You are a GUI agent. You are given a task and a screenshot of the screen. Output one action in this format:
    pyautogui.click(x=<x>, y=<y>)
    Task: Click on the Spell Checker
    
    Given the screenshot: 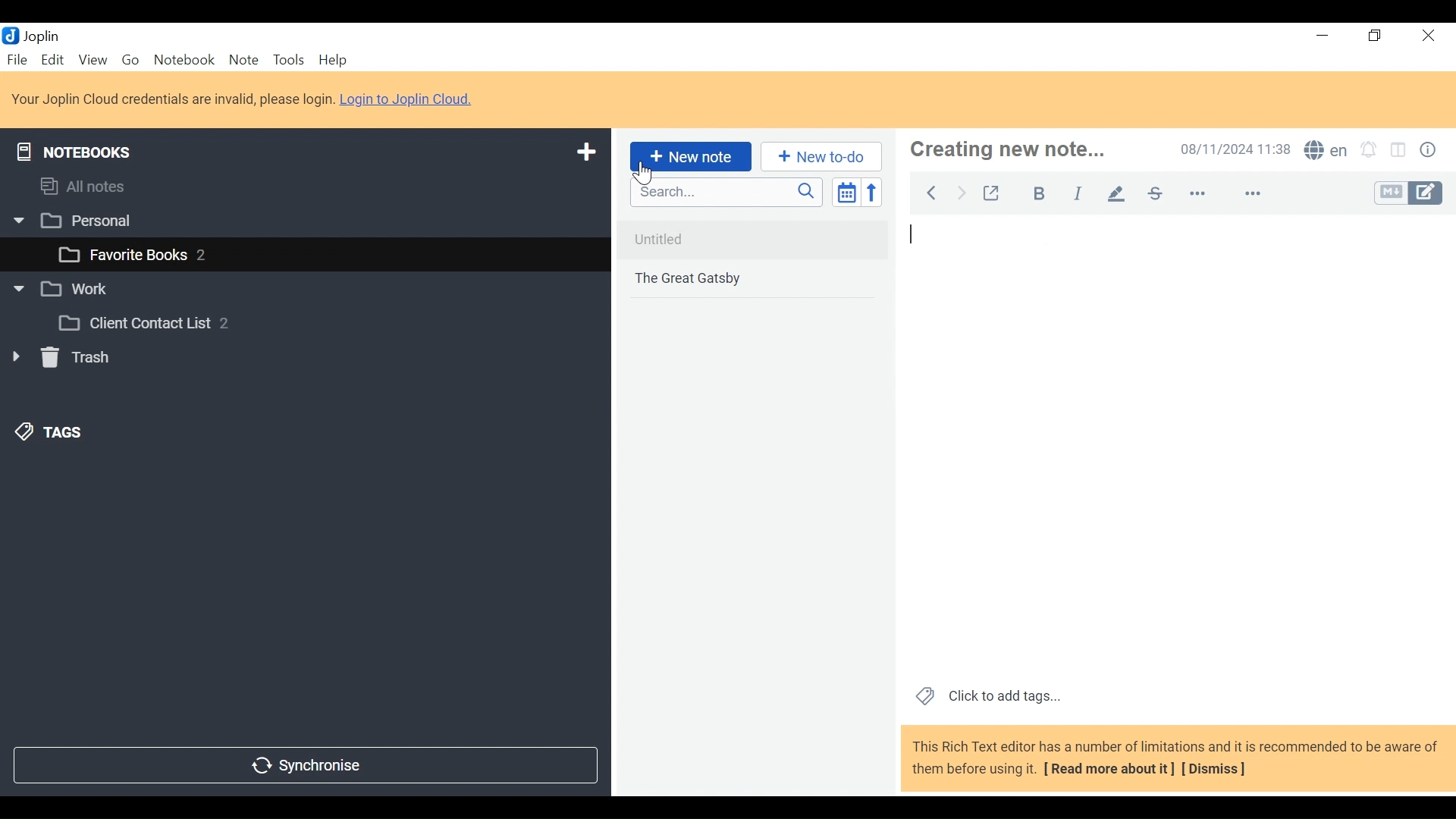 What is the action you would take?
    pyautogui.click(x=1326, y=152)
    